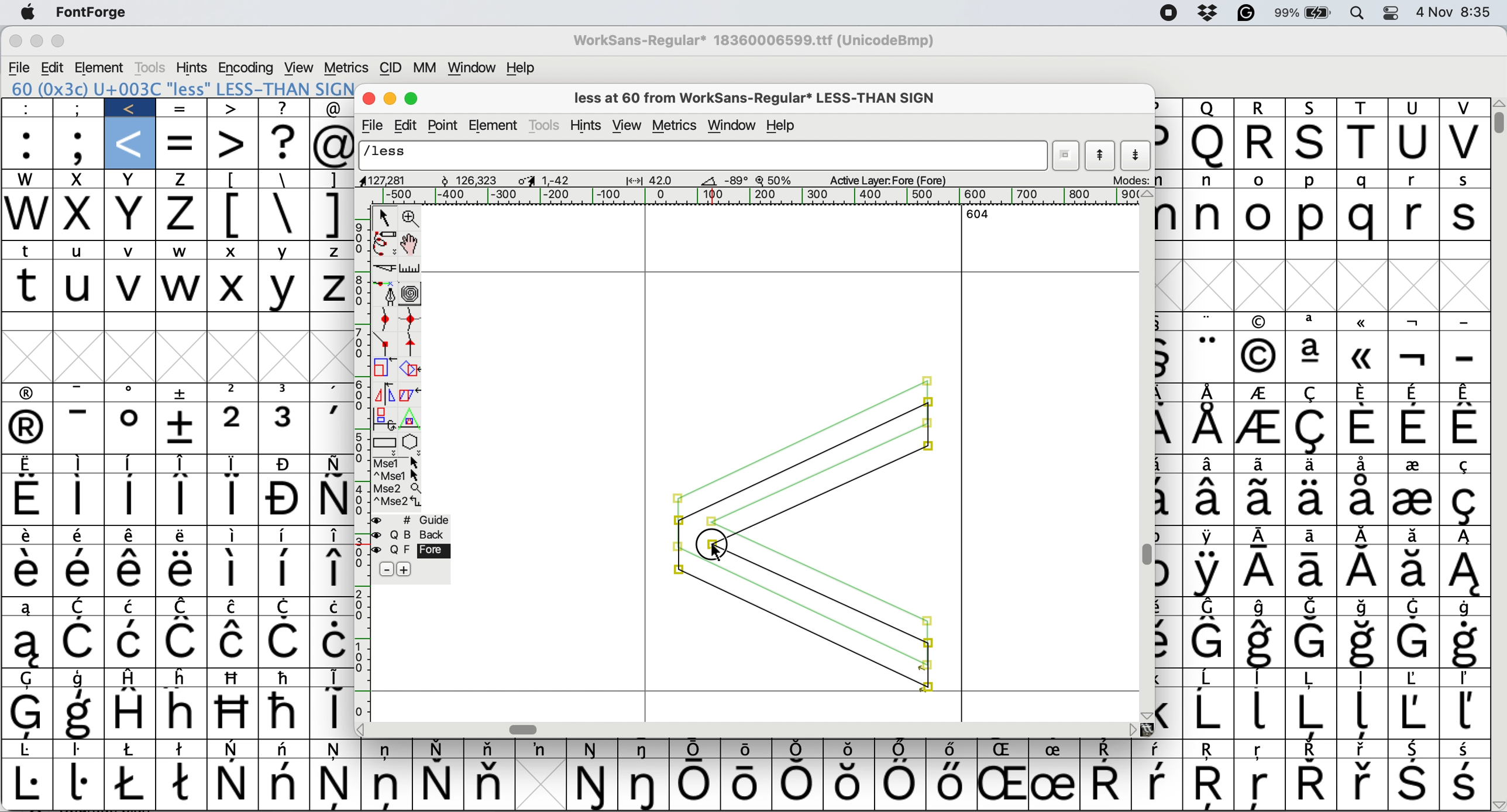 Image resolution: width=1507 pixels, height=812 pixels. What do you see at coordinates (30, 108) in the screenshot?
I see `:` at bounding box center [30, 108].